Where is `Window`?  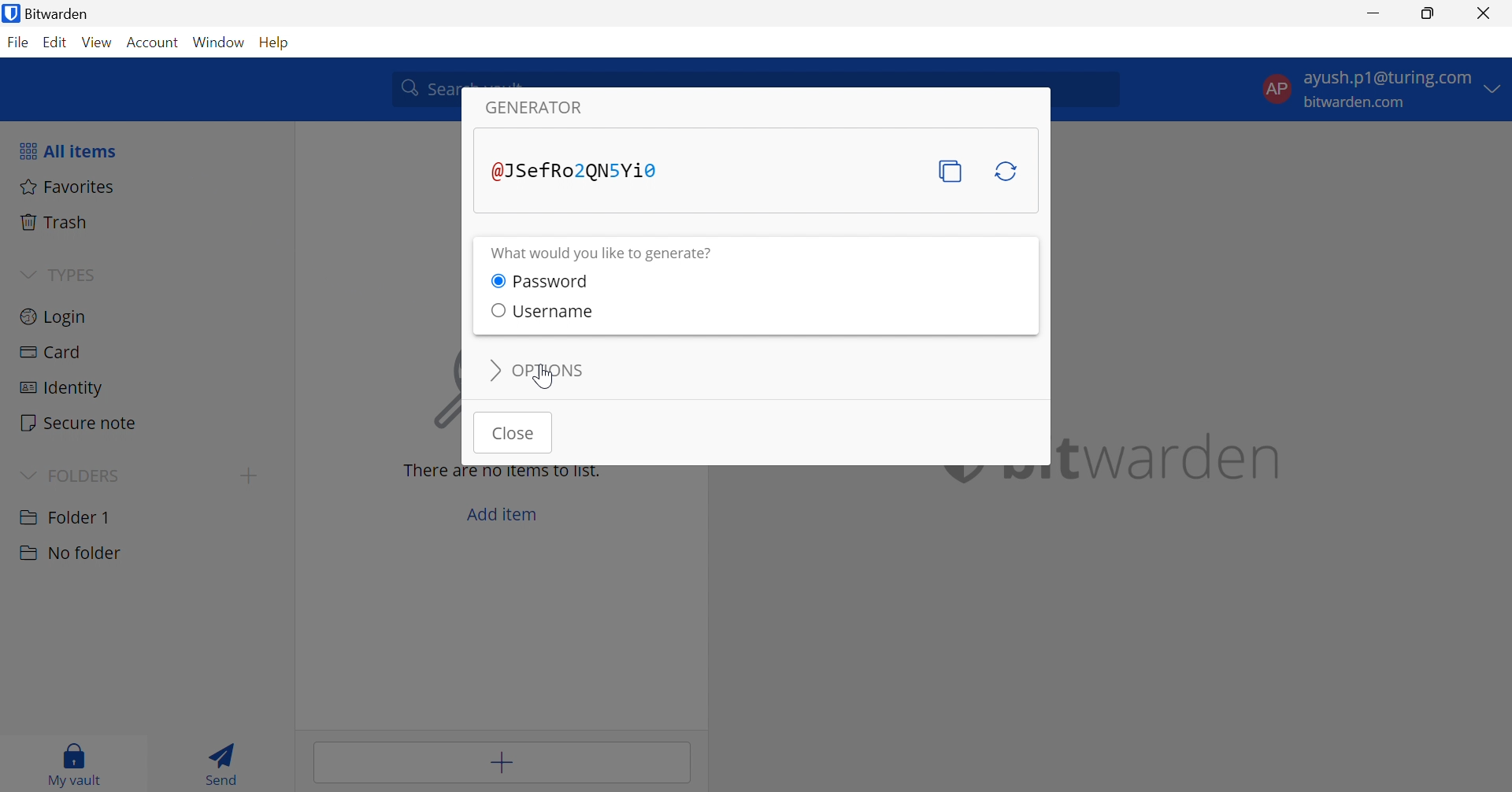
Window is located at coordinates (219, 43).